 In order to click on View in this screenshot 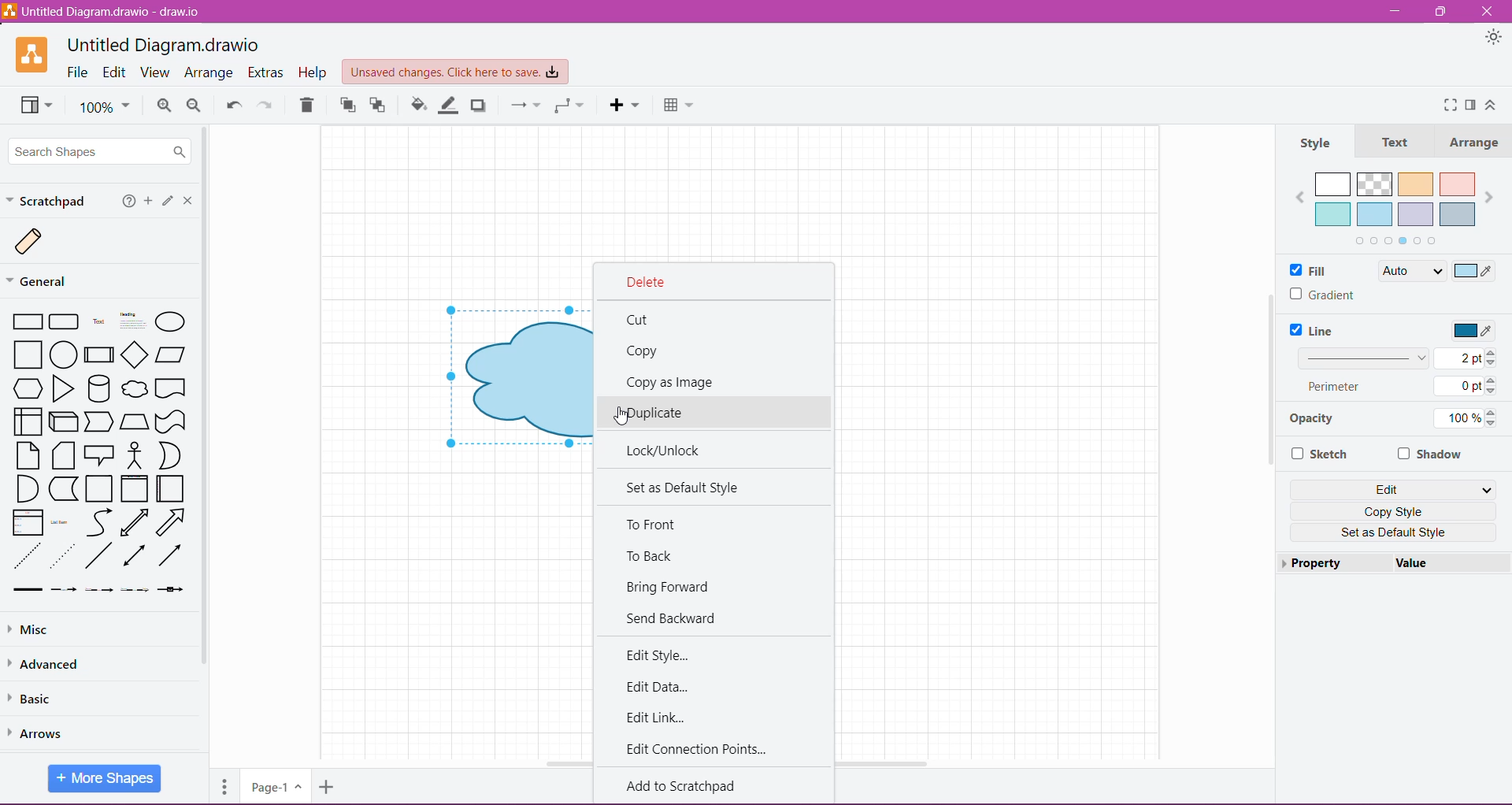, I will do `click(154, 72)`.